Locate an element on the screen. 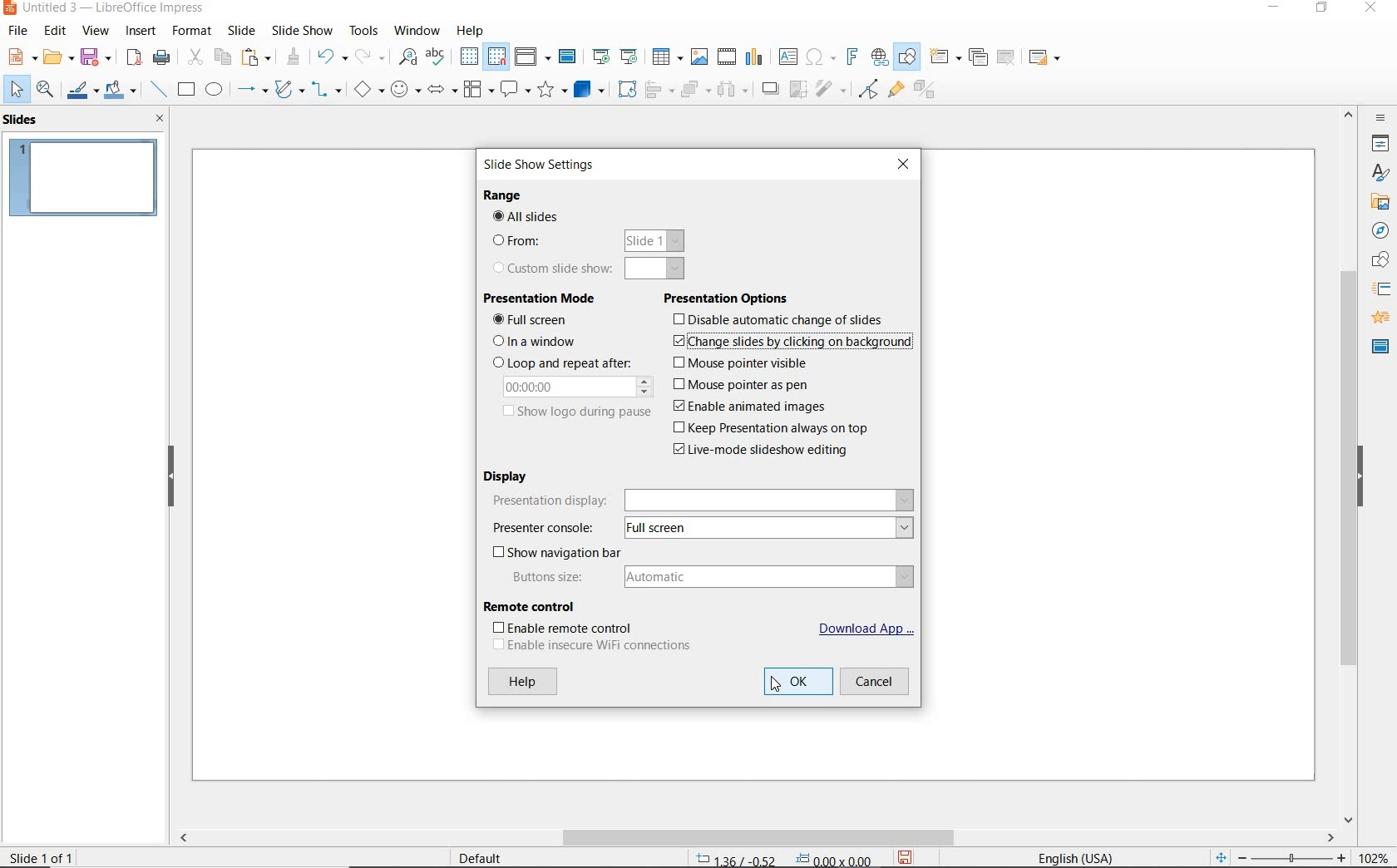 The height and width of the screenshot is (868, 1397). FILTER is located at coordinates (831, 89).